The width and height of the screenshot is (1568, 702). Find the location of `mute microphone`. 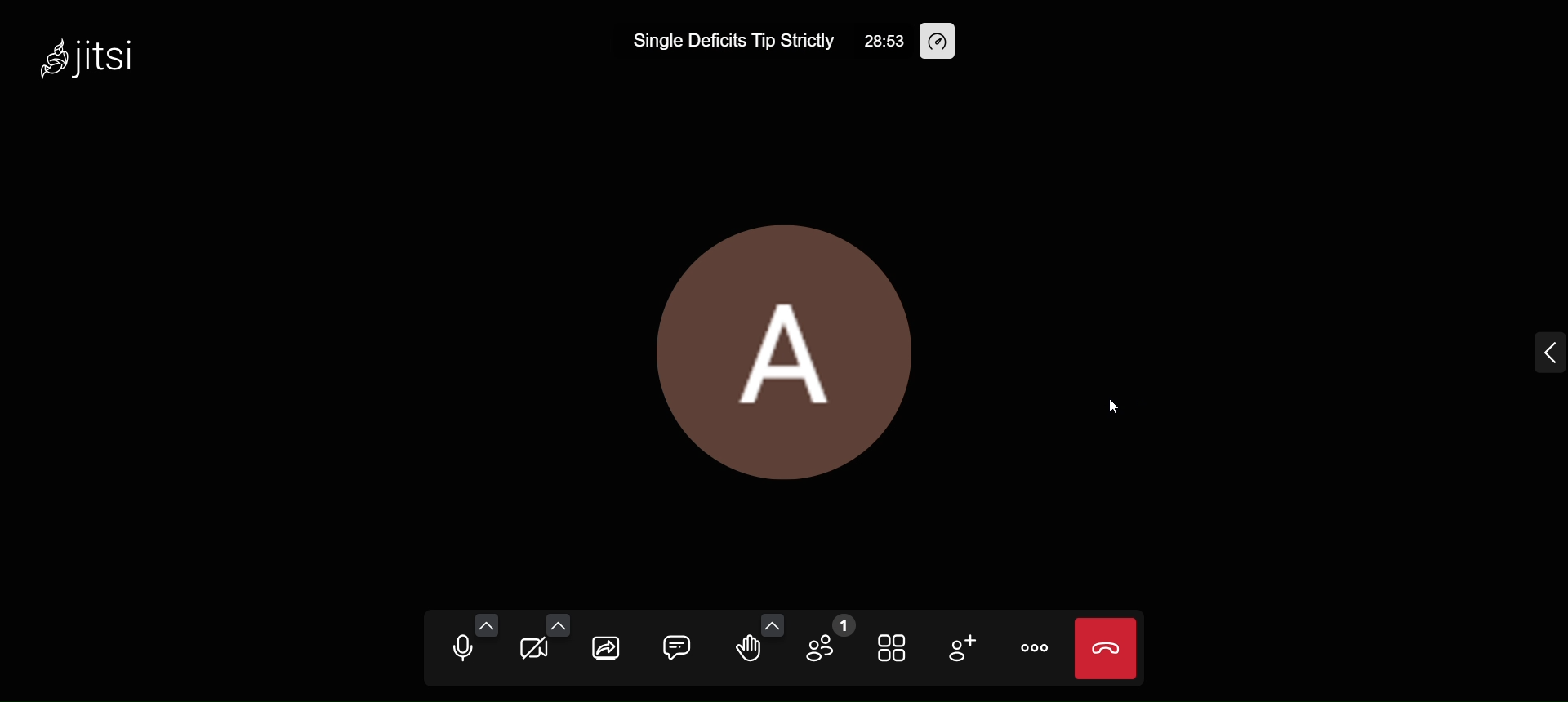

mute microphone is located at coordinates (455, 651).